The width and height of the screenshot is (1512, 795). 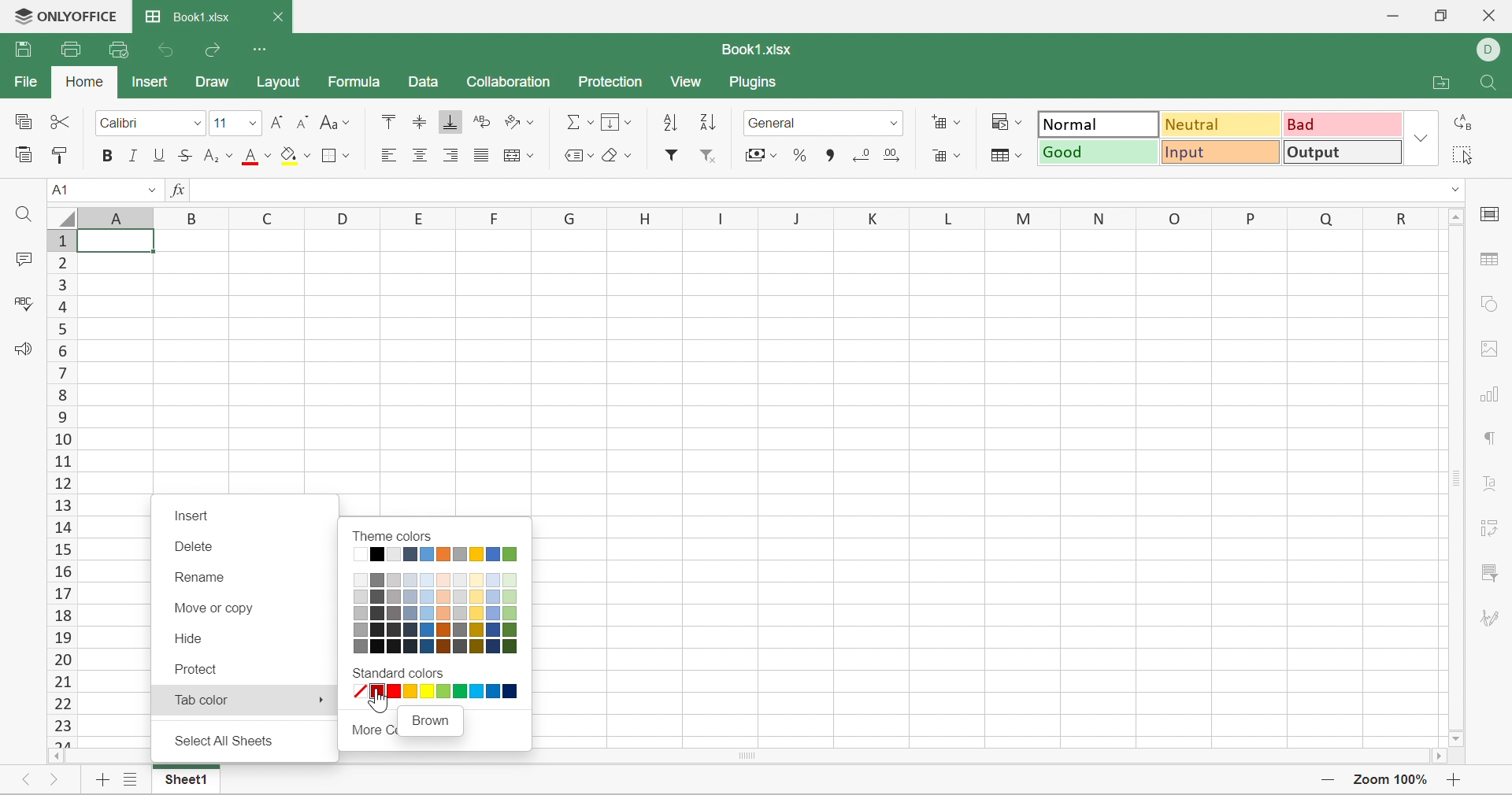 I want to click on B, so click(x=195, y=216).